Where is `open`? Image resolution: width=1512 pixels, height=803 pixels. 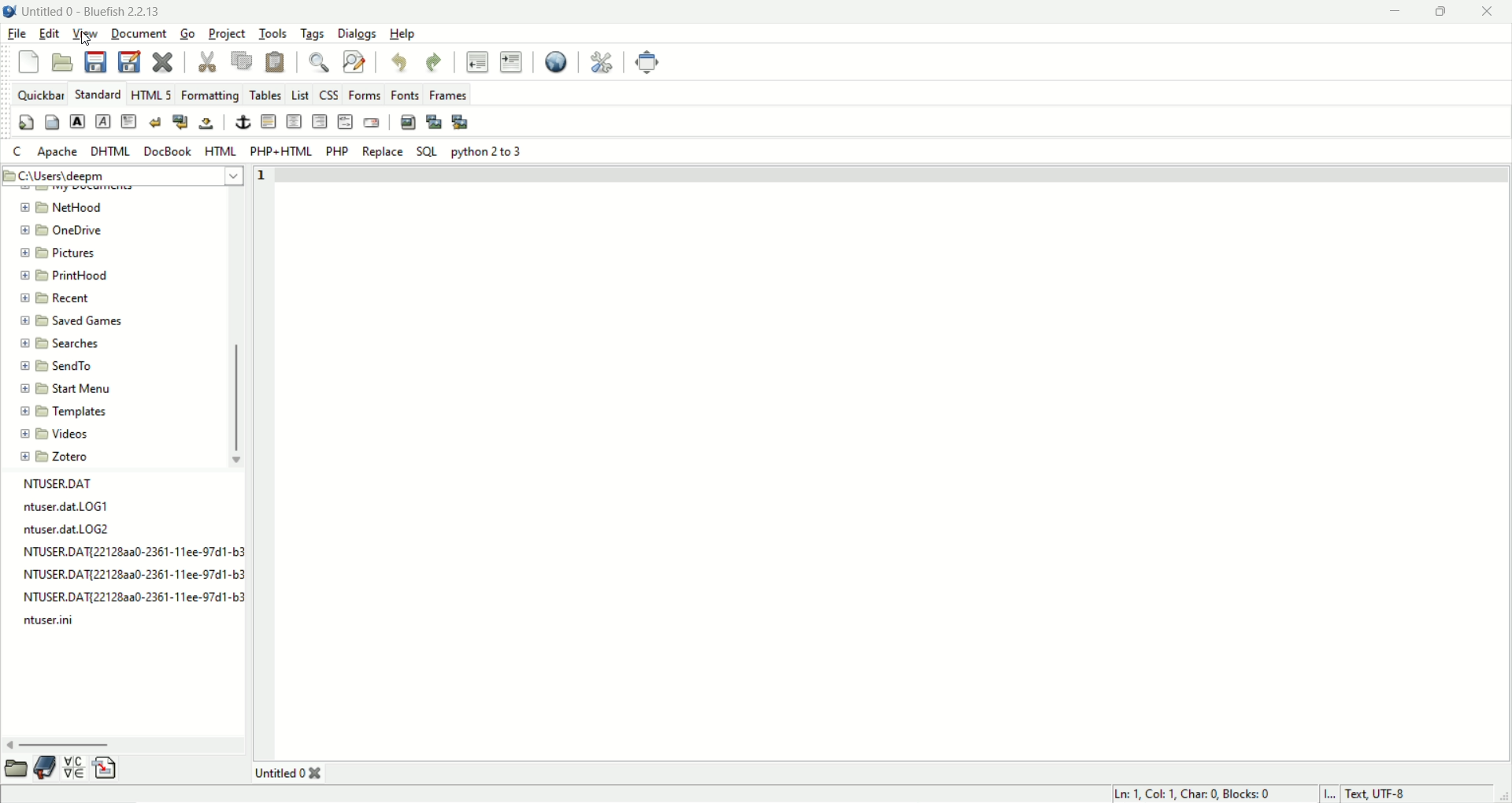
open is located at coordinates (14, 768).